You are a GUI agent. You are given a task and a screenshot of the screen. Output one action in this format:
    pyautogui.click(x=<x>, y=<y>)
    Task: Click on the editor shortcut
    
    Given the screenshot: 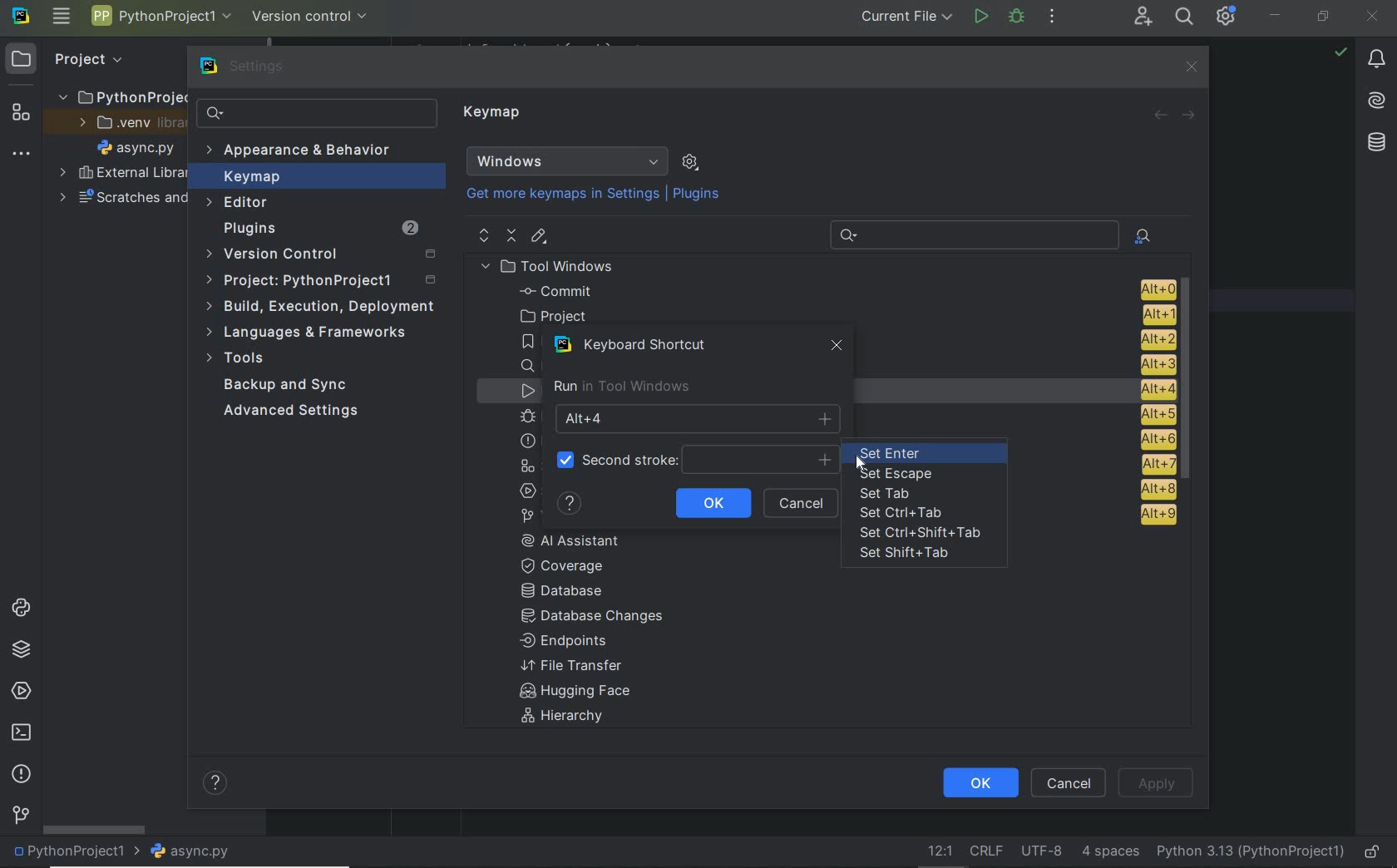 What is the action you would take?
    pyautogui.click(x=540, y=238)
    